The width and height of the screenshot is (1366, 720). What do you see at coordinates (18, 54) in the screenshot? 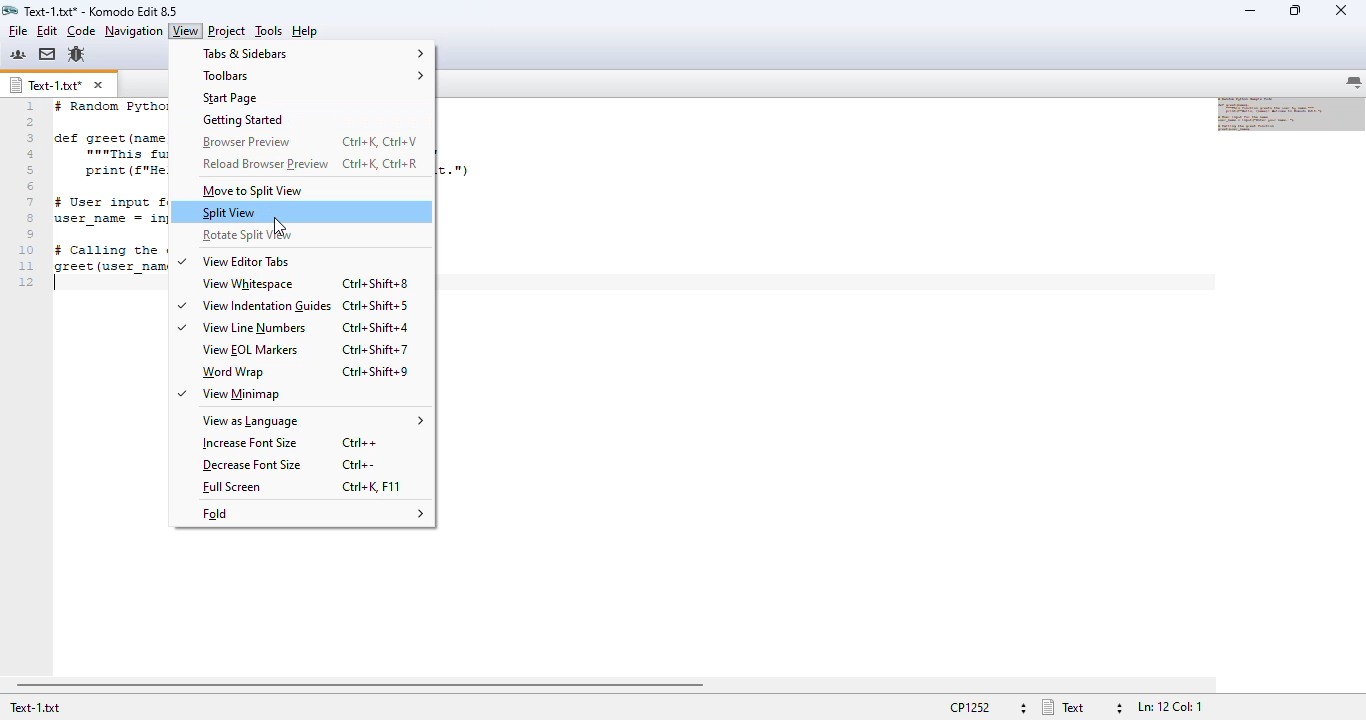
I see `komodo community` at bounding box center [18, 54].